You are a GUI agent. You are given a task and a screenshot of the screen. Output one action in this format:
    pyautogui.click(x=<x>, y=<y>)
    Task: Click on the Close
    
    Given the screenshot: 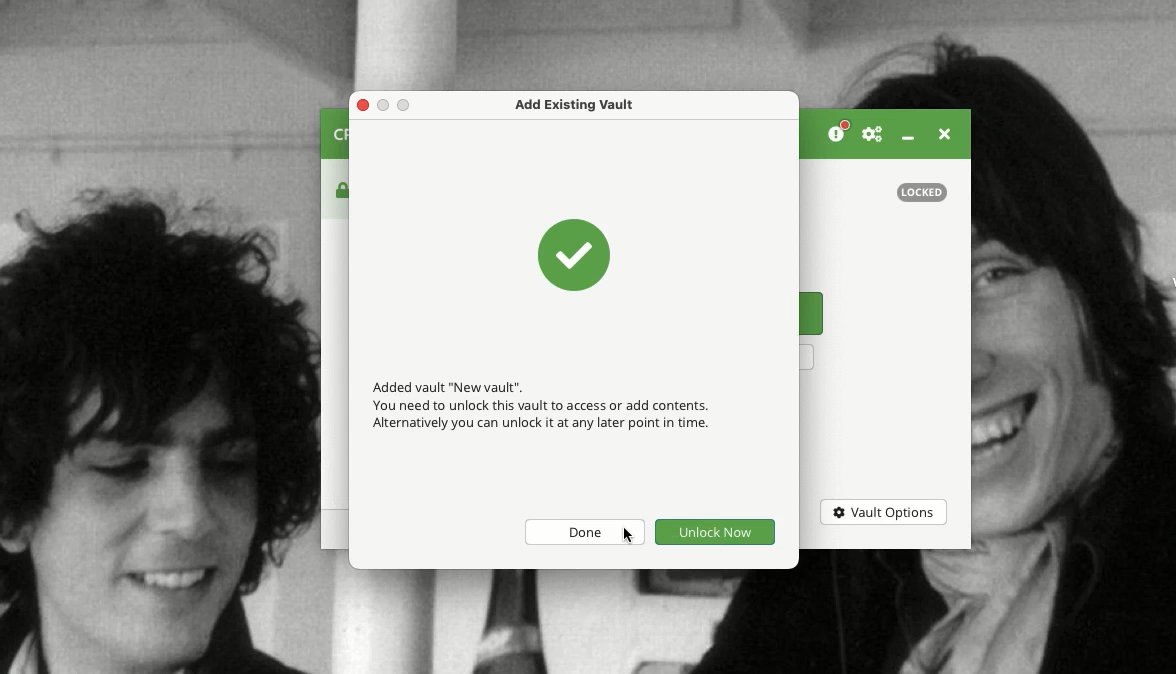 What is the action you would take?
    pyautogui.click(x=944, y=136)
    